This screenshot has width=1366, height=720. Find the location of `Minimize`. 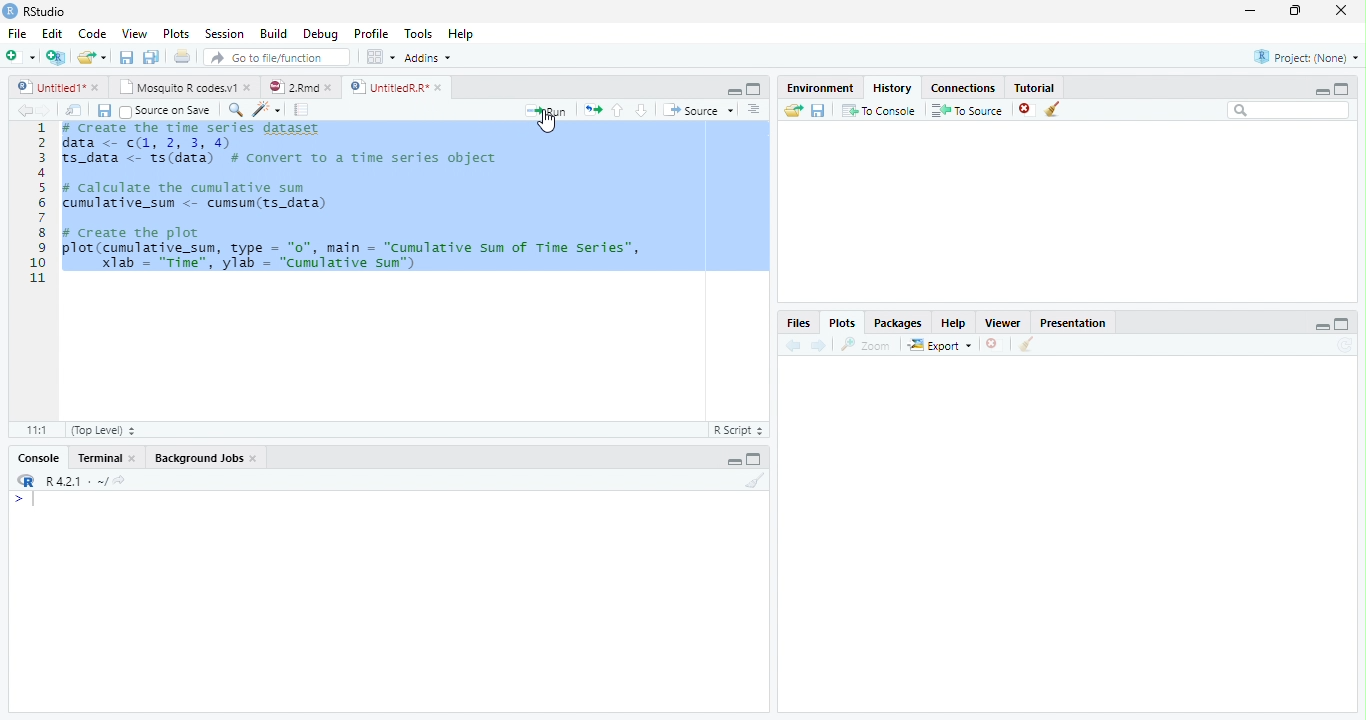

Minimize is located at coordinates (734, 92).